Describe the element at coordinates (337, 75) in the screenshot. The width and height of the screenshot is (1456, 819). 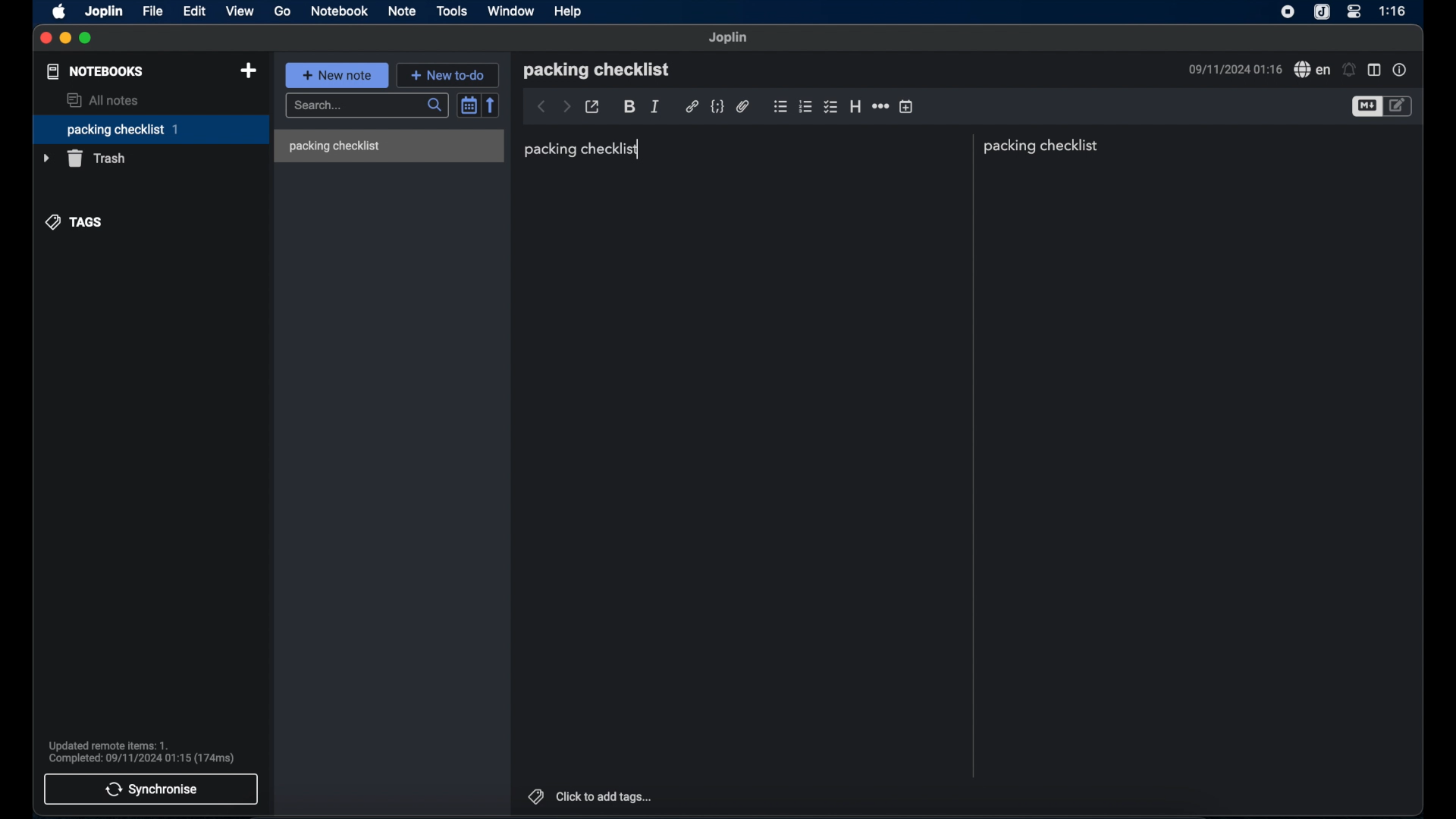
I see `new note` at that location.